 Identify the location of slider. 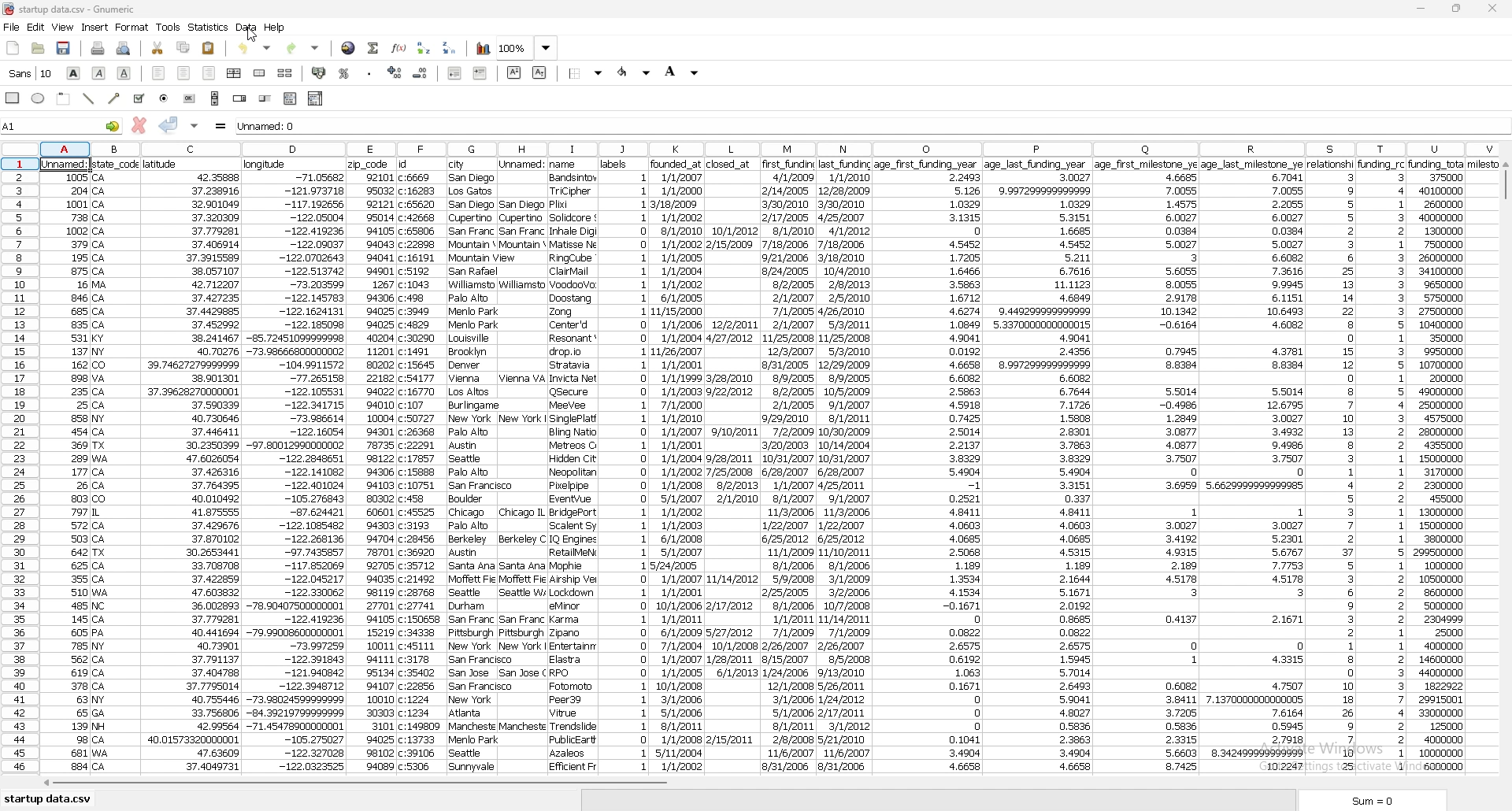
(265, 99).